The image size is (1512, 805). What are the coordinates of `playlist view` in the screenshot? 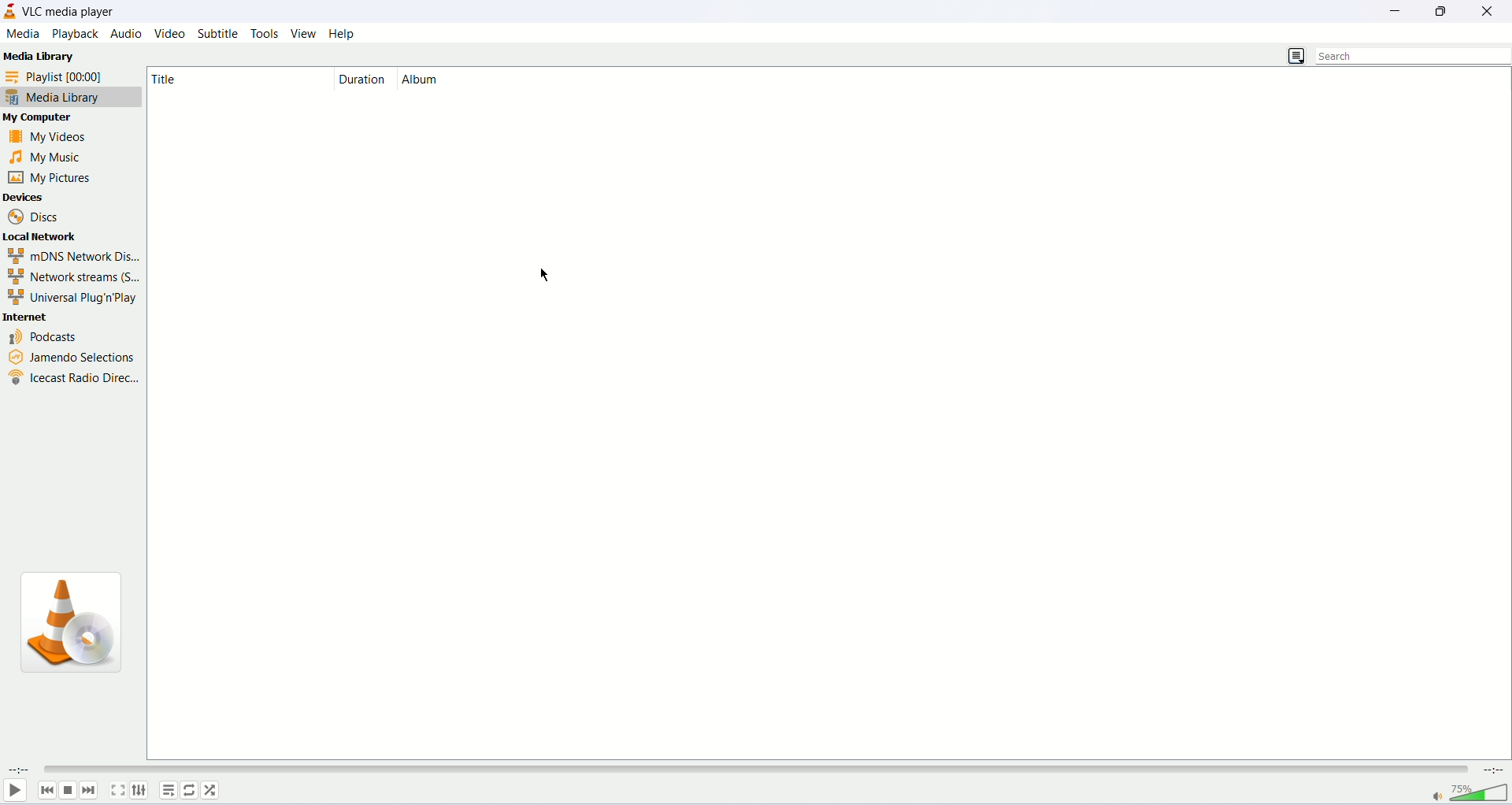 It's located at (1295, 54).